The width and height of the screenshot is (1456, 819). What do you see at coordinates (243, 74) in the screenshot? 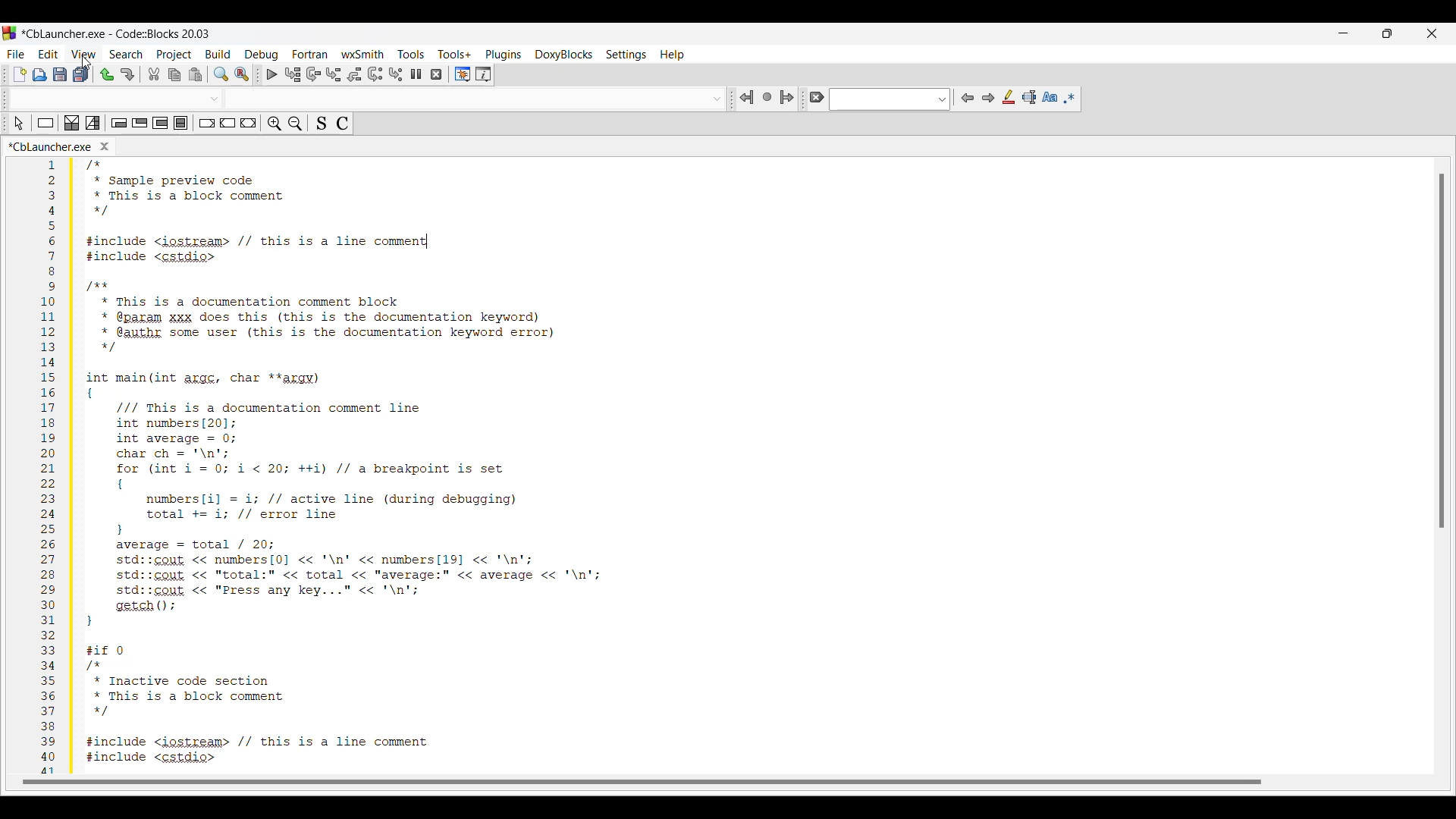
I see `Replace` at bounding box center [243, 74].